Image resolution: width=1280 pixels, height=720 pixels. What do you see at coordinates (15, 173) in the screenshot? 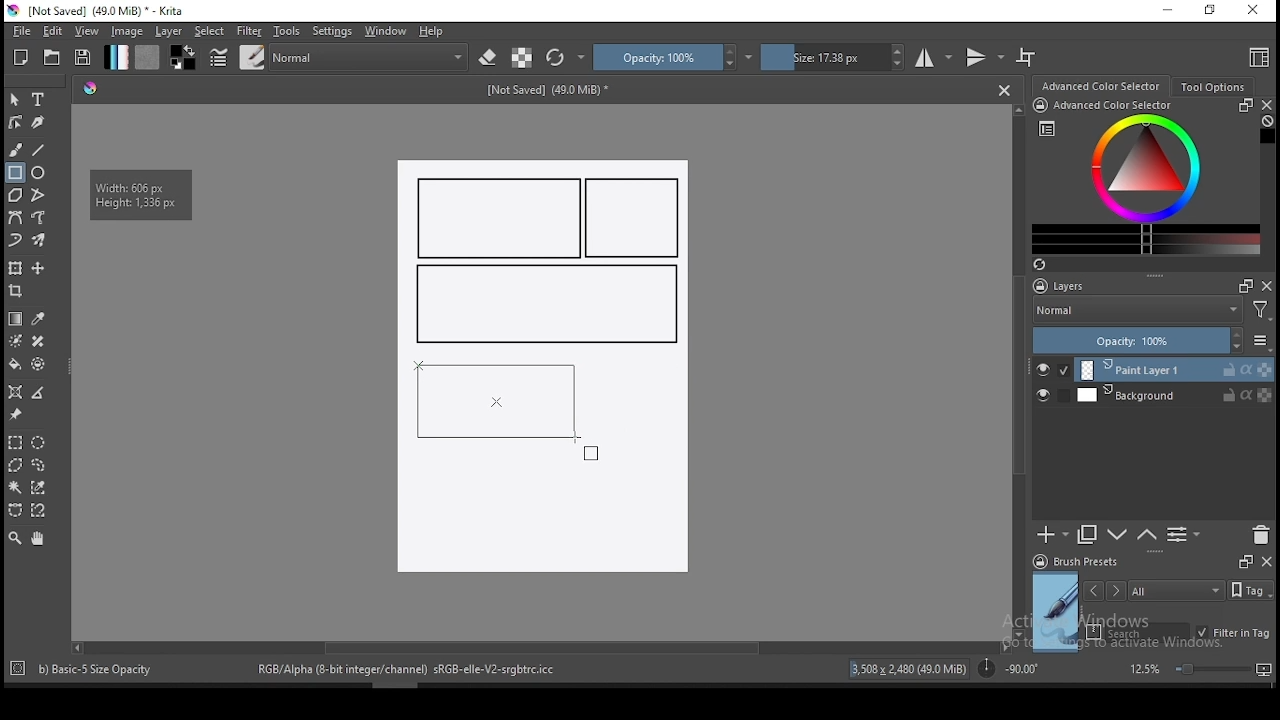
I see `rectangle tool` at bounding box center [15, 173].